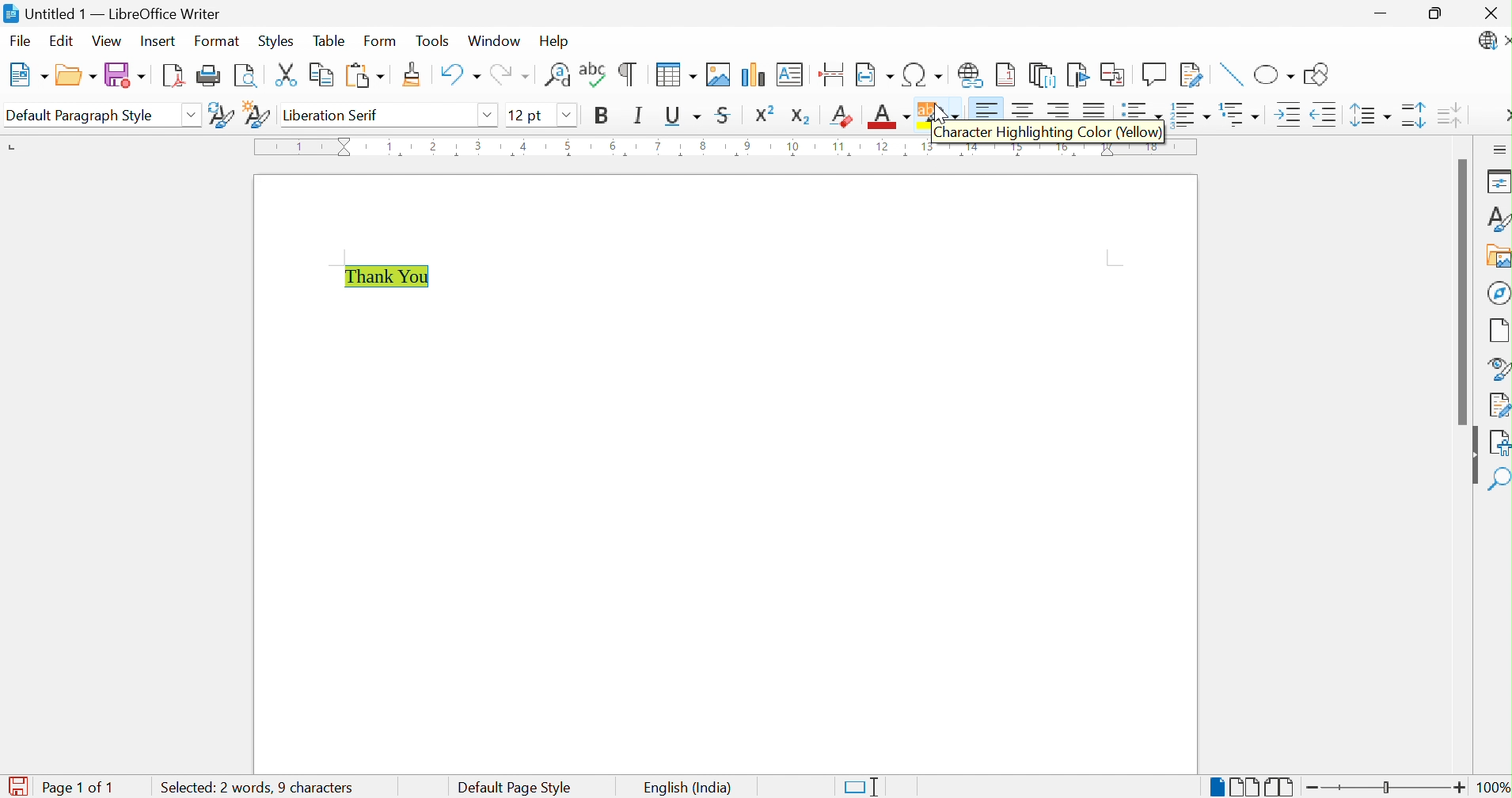 The width and height of the screenshot is (1512, 798). I want to click on Paste, so click(365, 76).